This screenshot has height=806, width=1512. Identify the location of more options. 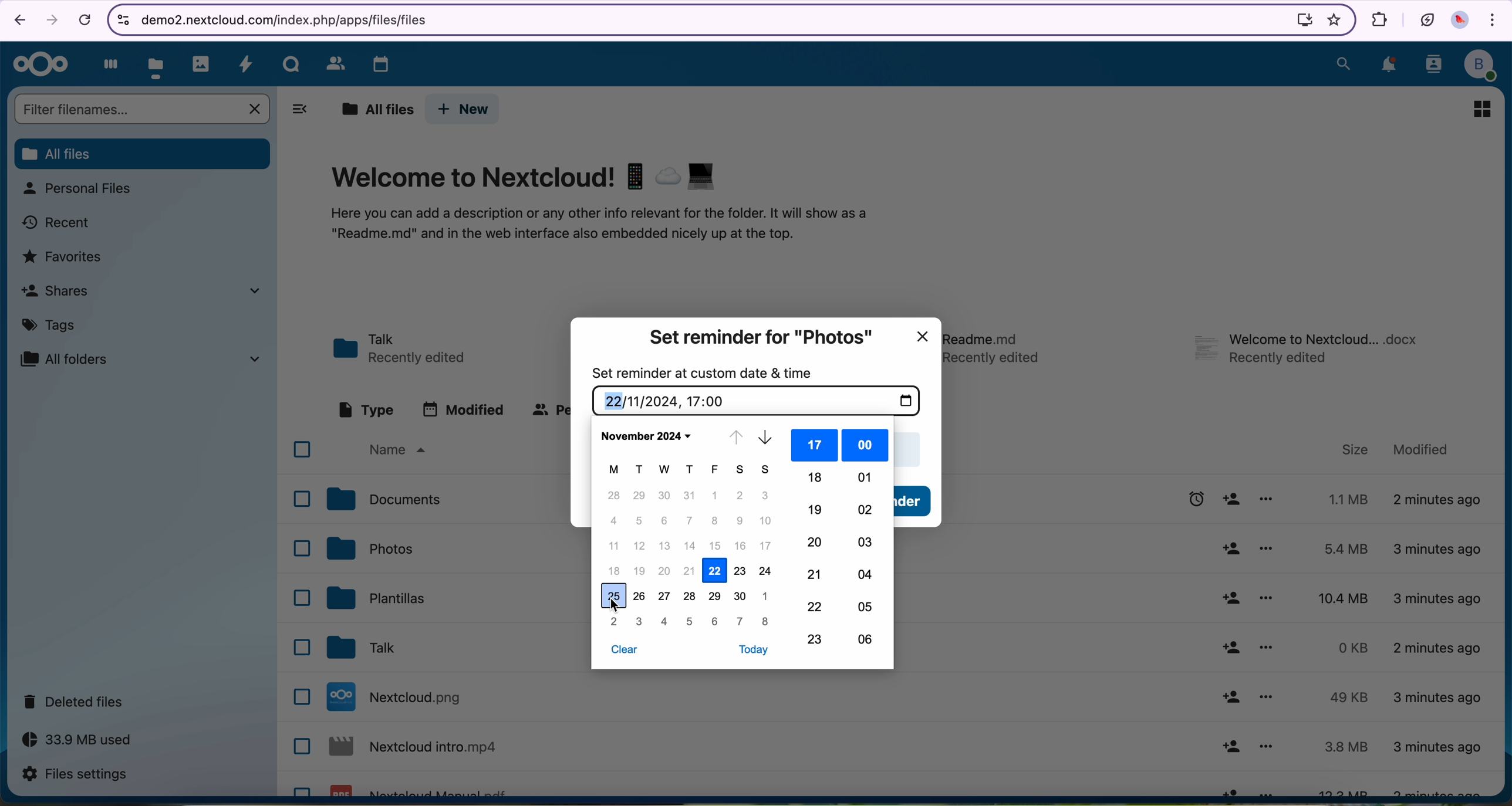
(1271, 499).